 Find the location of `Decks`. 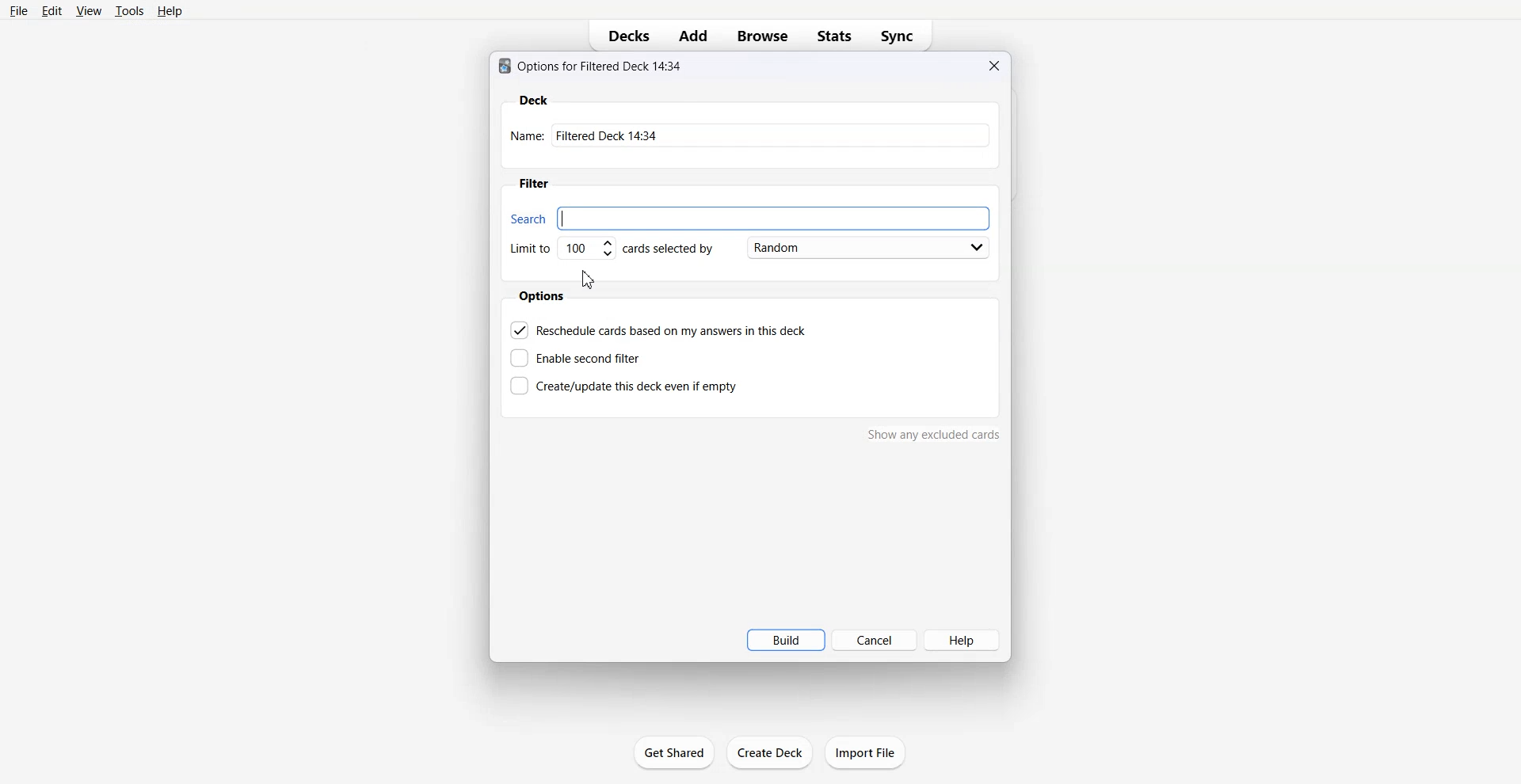

Decks is located at coordinates (623, 36).